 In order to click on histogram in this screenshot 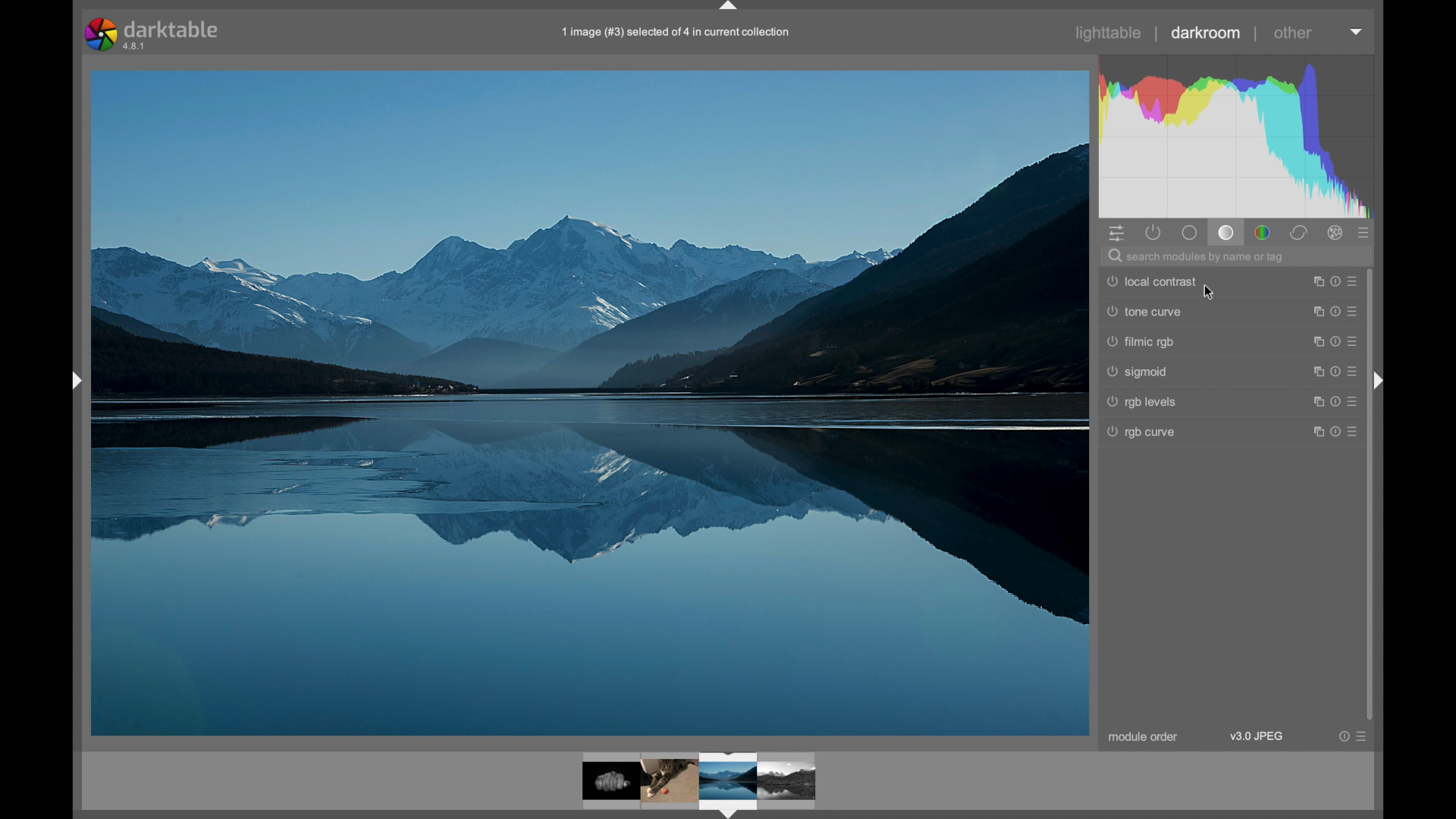, I will do `click(1357, 32)`.